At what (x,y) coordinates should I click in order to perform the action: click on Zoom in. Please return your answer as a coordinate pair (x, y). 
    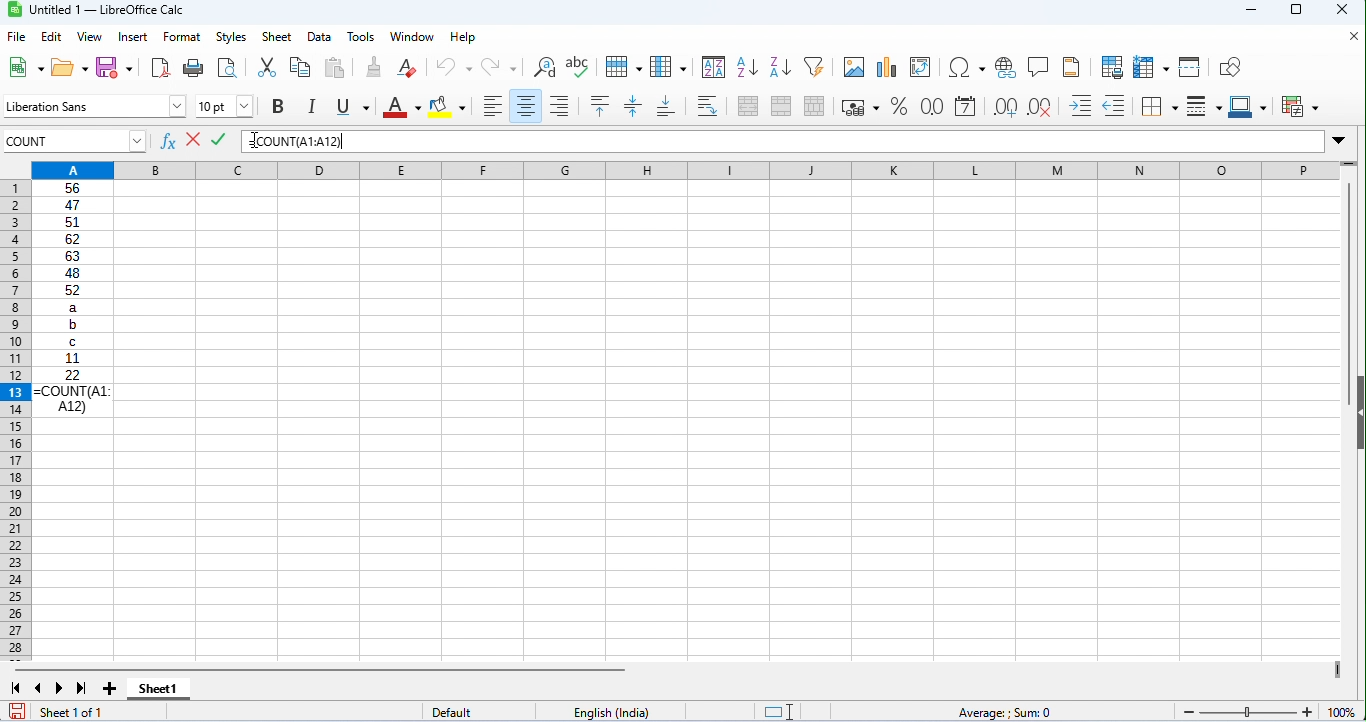
    Looking at the image, I should click on (1307, 712).